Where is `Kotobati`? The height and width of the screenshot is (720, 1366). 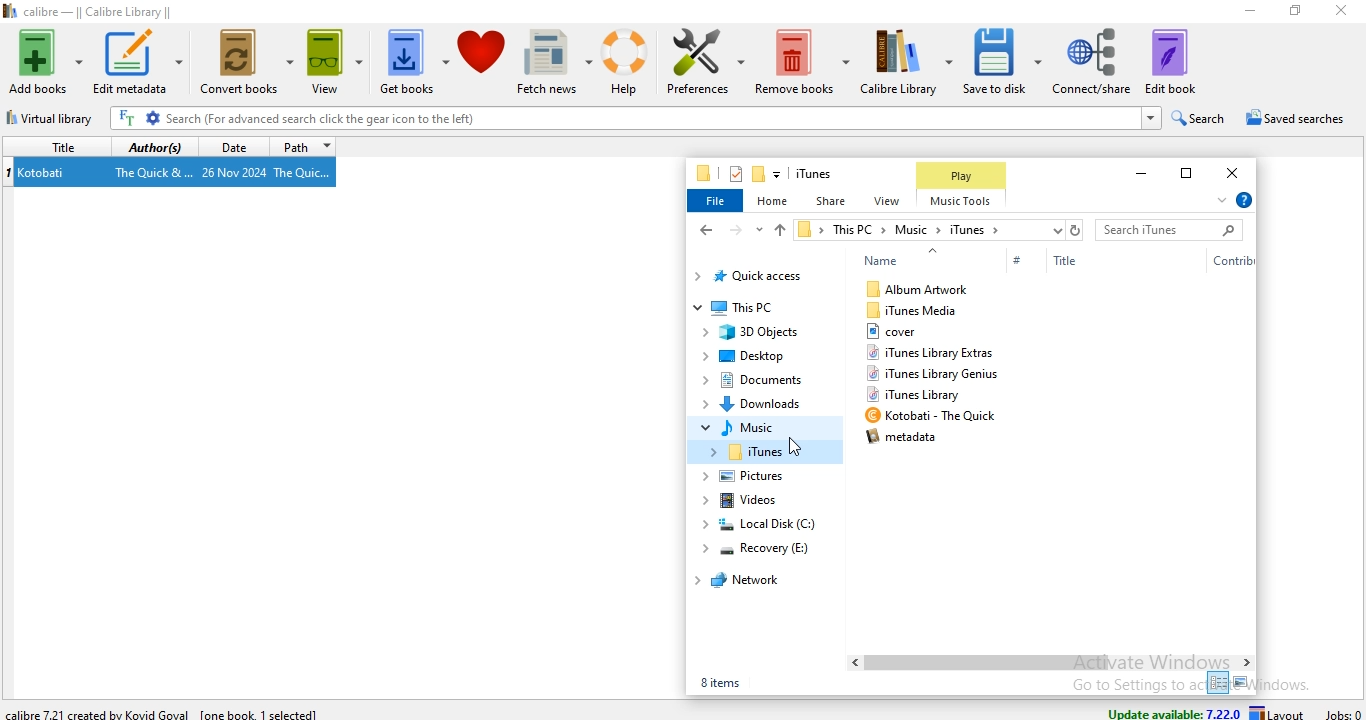 Kotobati is located at coordinates (43, 173).